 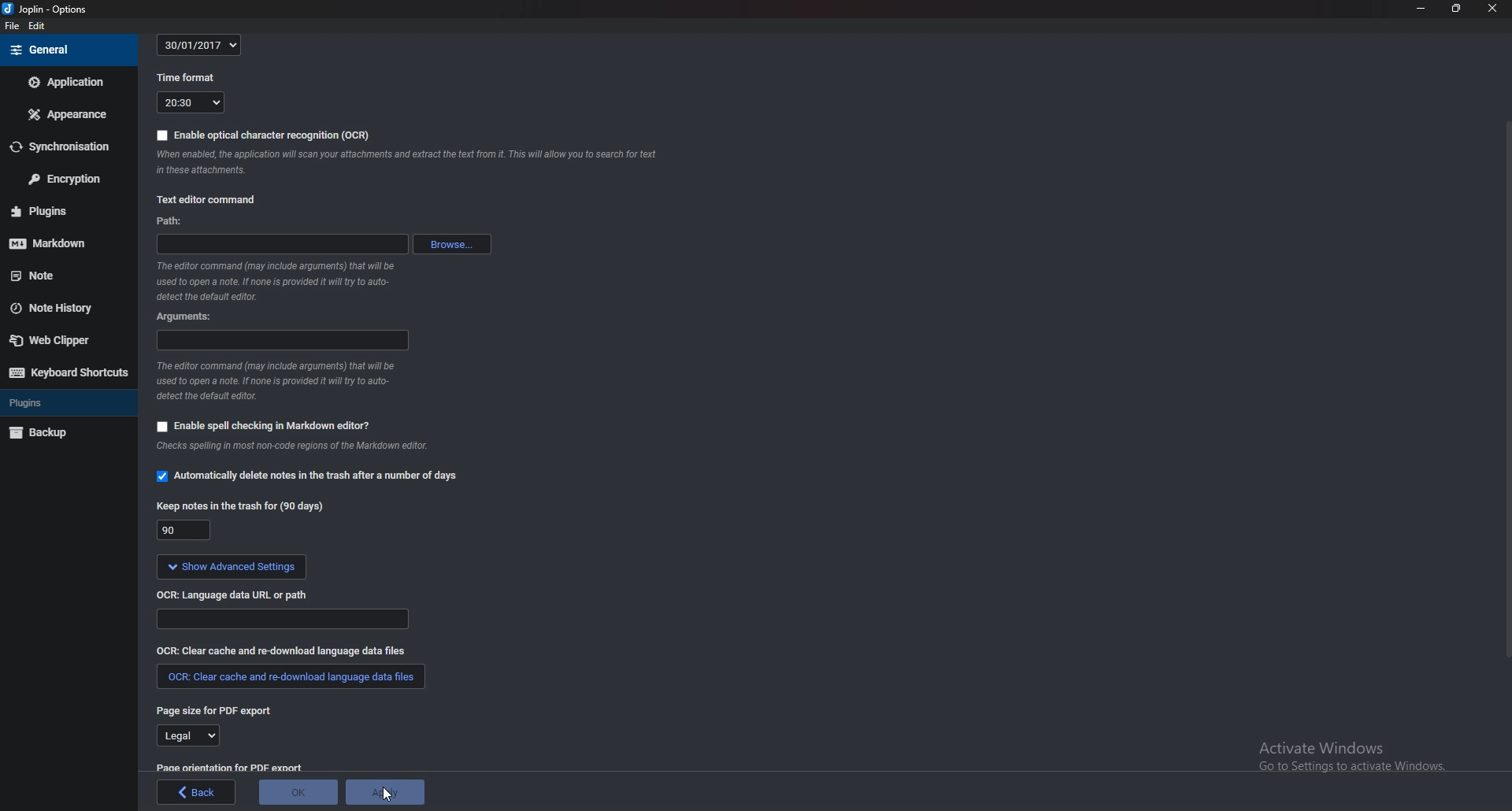 What do you see at coordinates (283, 383) in the screenshot?
I see `Info` at bounding box center [283, 383].